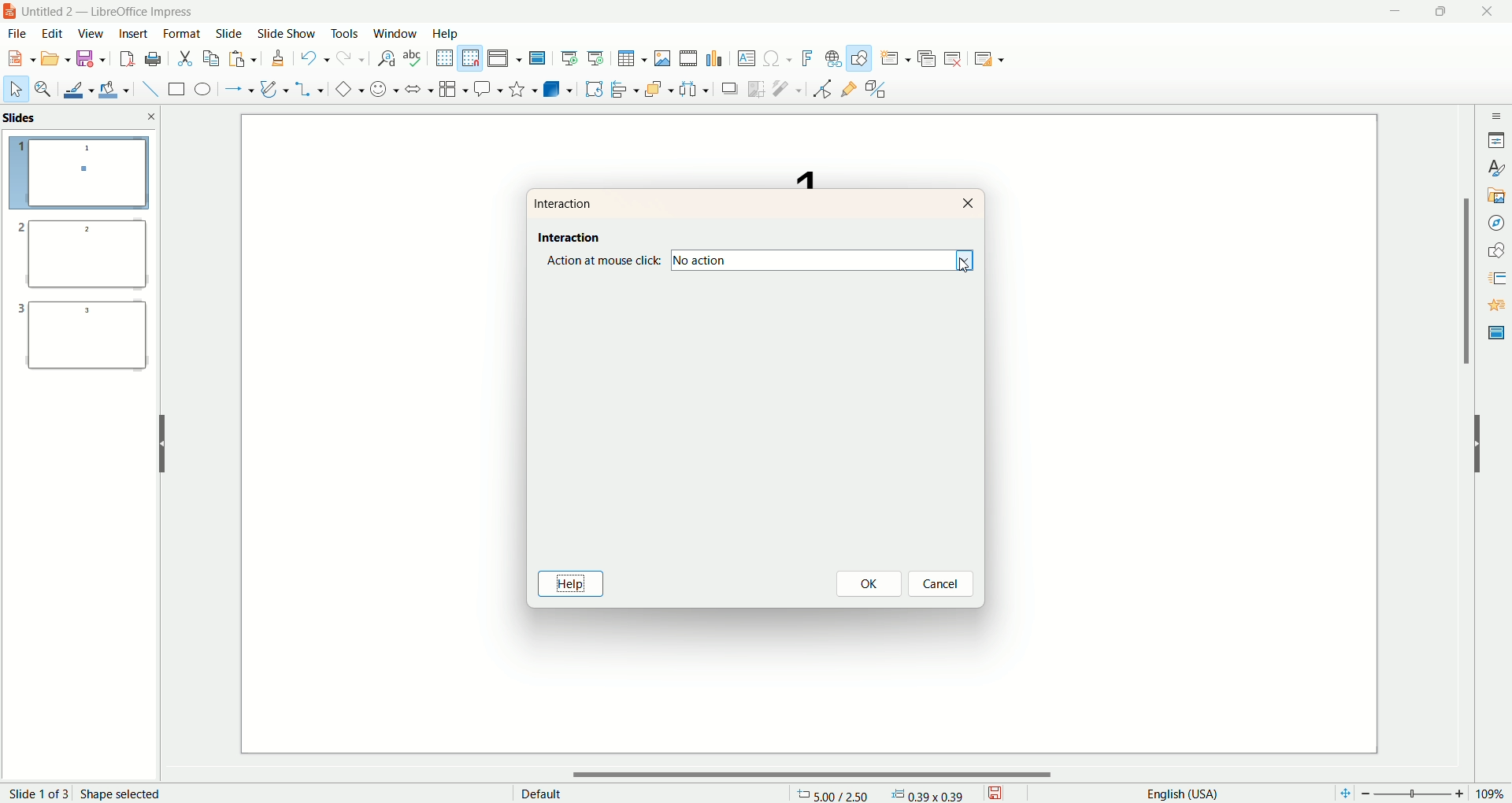 This screenshot has height=803, width=1512. Describe the element at coordinates (1440, 13) in the screenshot. I see `maximize` at that location.